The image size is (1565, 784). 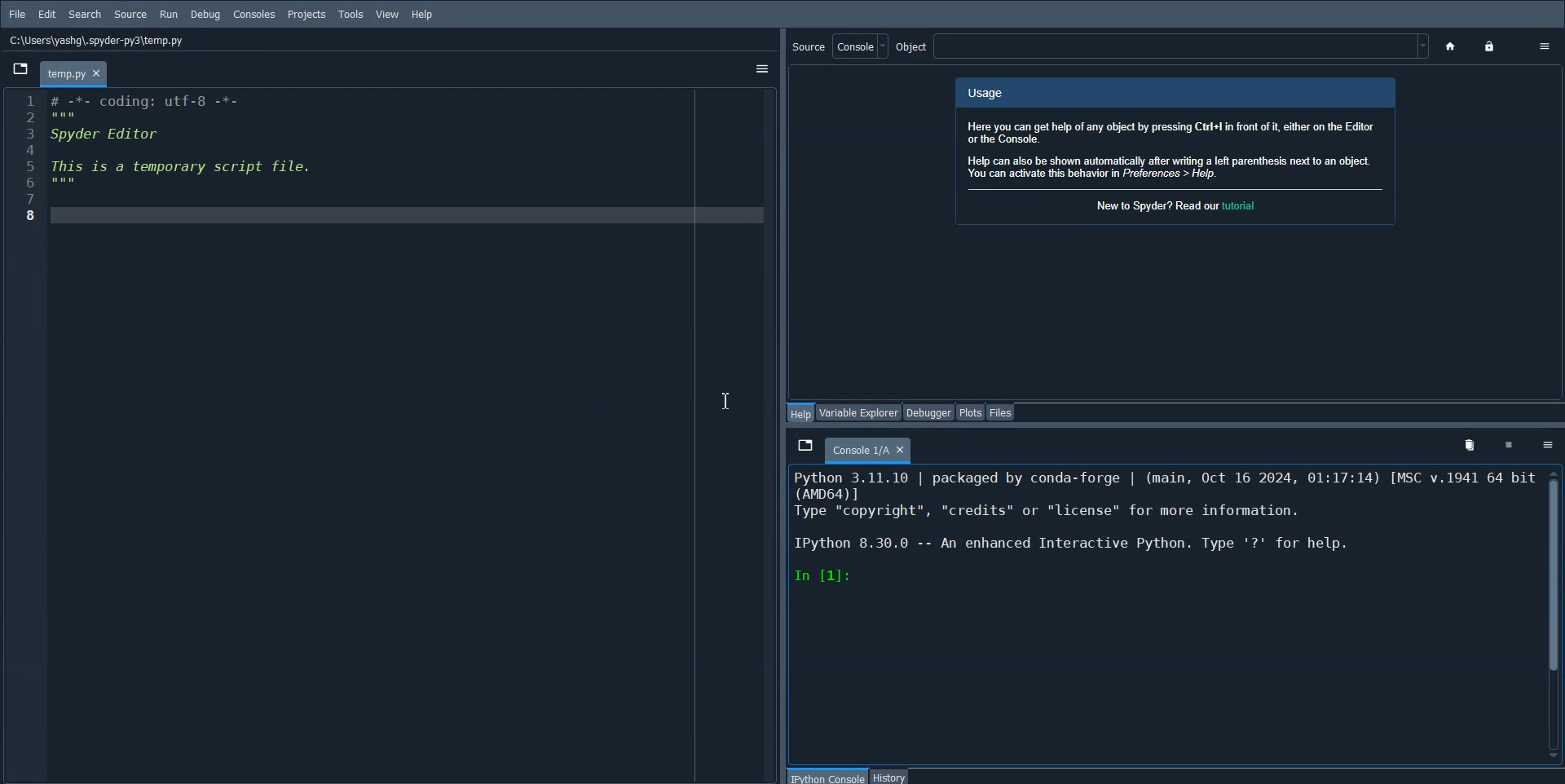 What do you see at coordinates (1510, 447) in the screenshot?
I see `Symbol` at bounding box center [1510, 447].